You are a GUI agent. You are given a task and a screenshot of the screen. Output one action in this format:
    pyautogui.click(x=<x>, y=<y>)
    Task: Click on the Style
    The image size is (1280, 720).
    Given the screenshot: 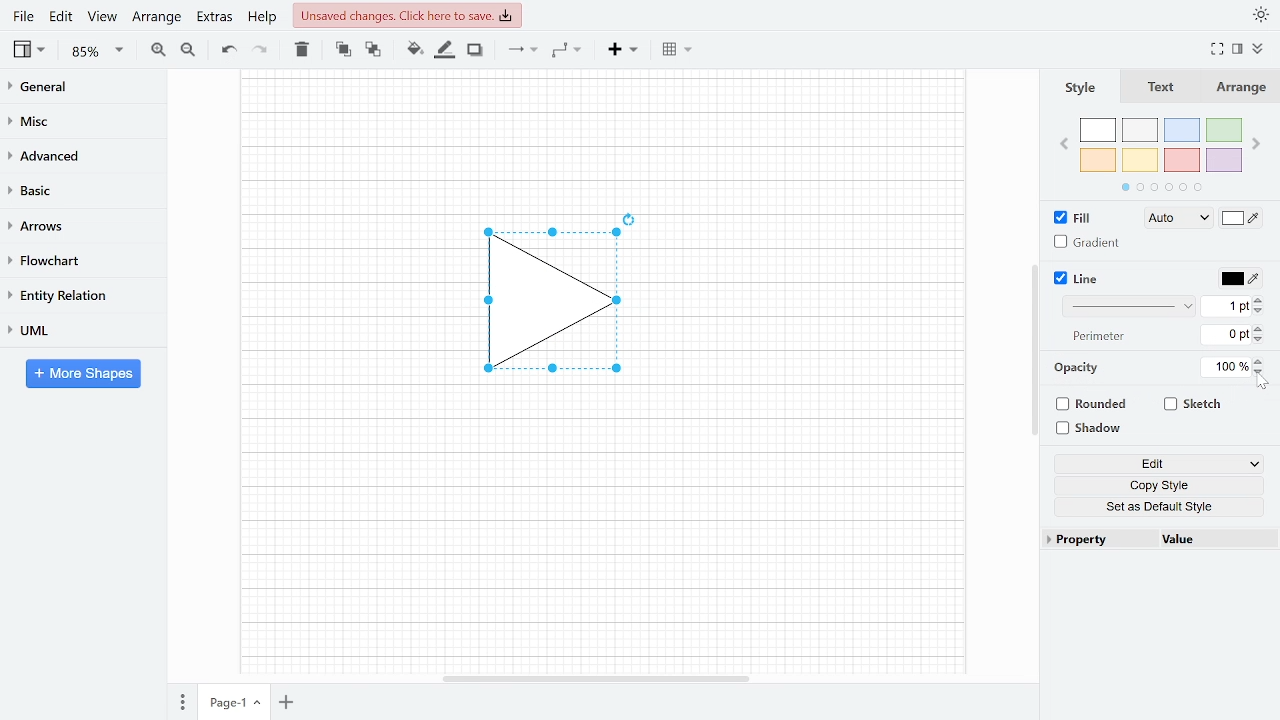 What is the action you would take?
    pyautogui.click(x=1078, y=87)
    